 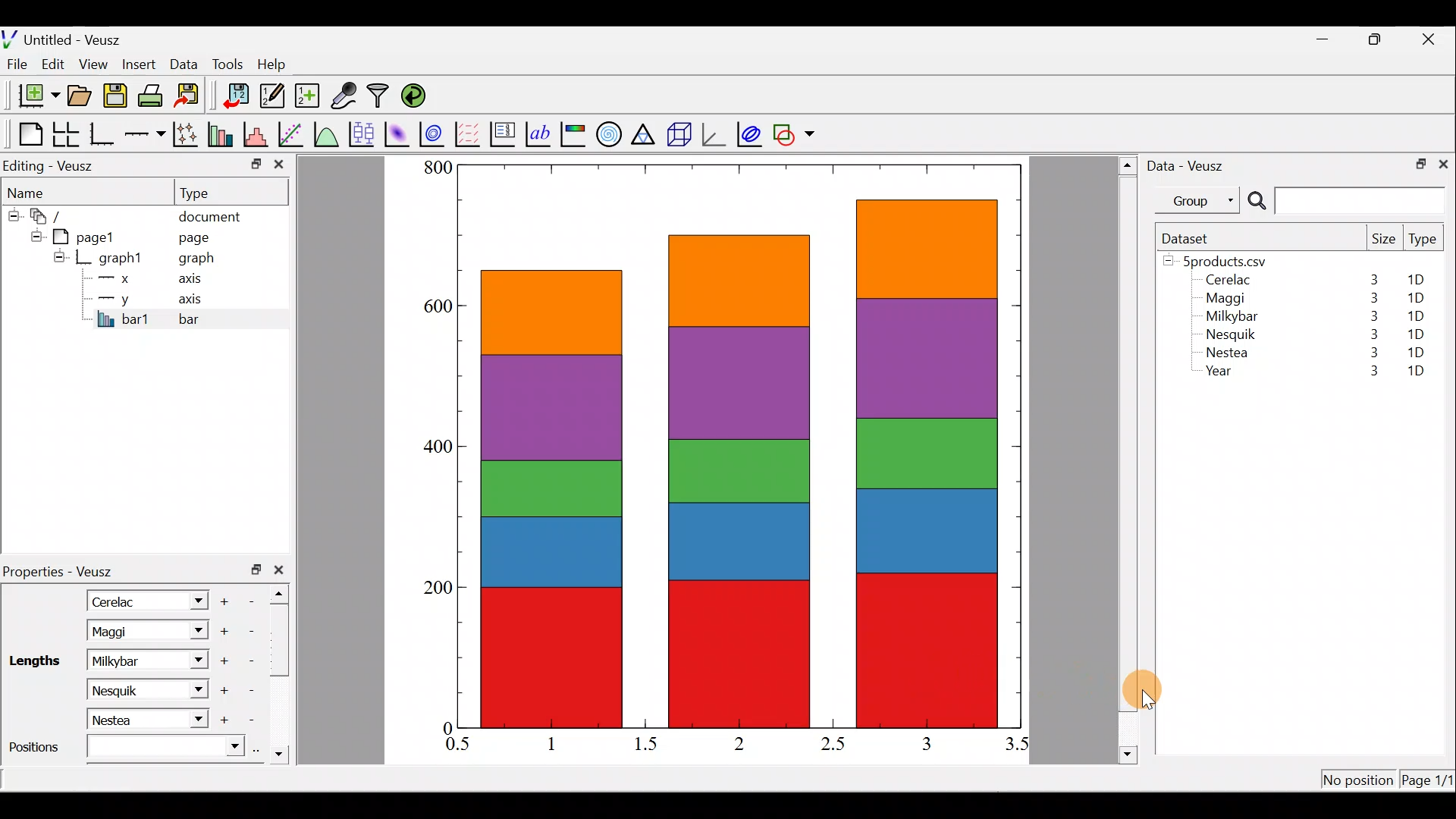 What do you see at coordinates (438, 591) in the screenshot?
I see `200` at bounding box center [438, 591].